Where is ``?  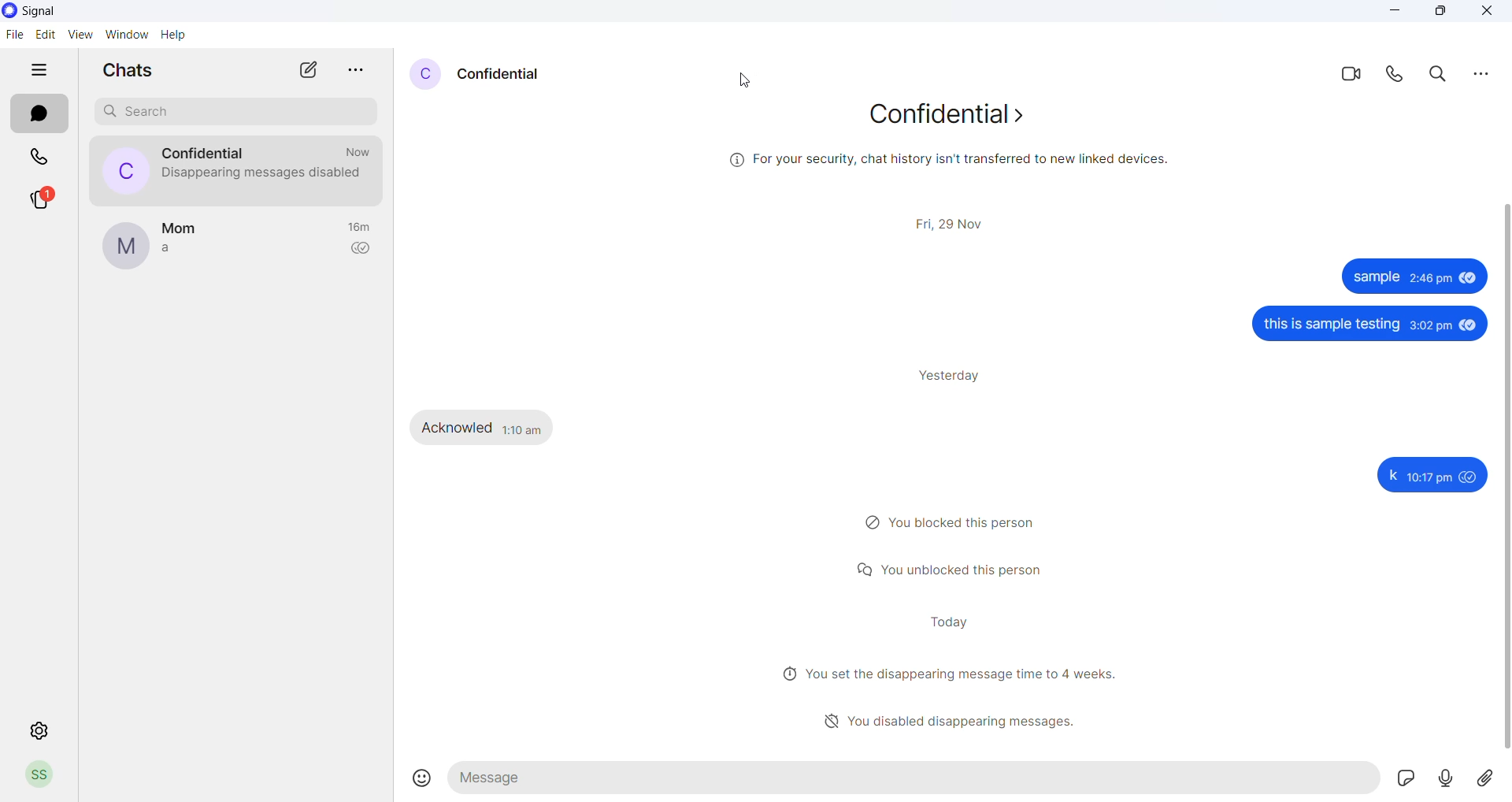
 is located at coordinates (1414, 275).